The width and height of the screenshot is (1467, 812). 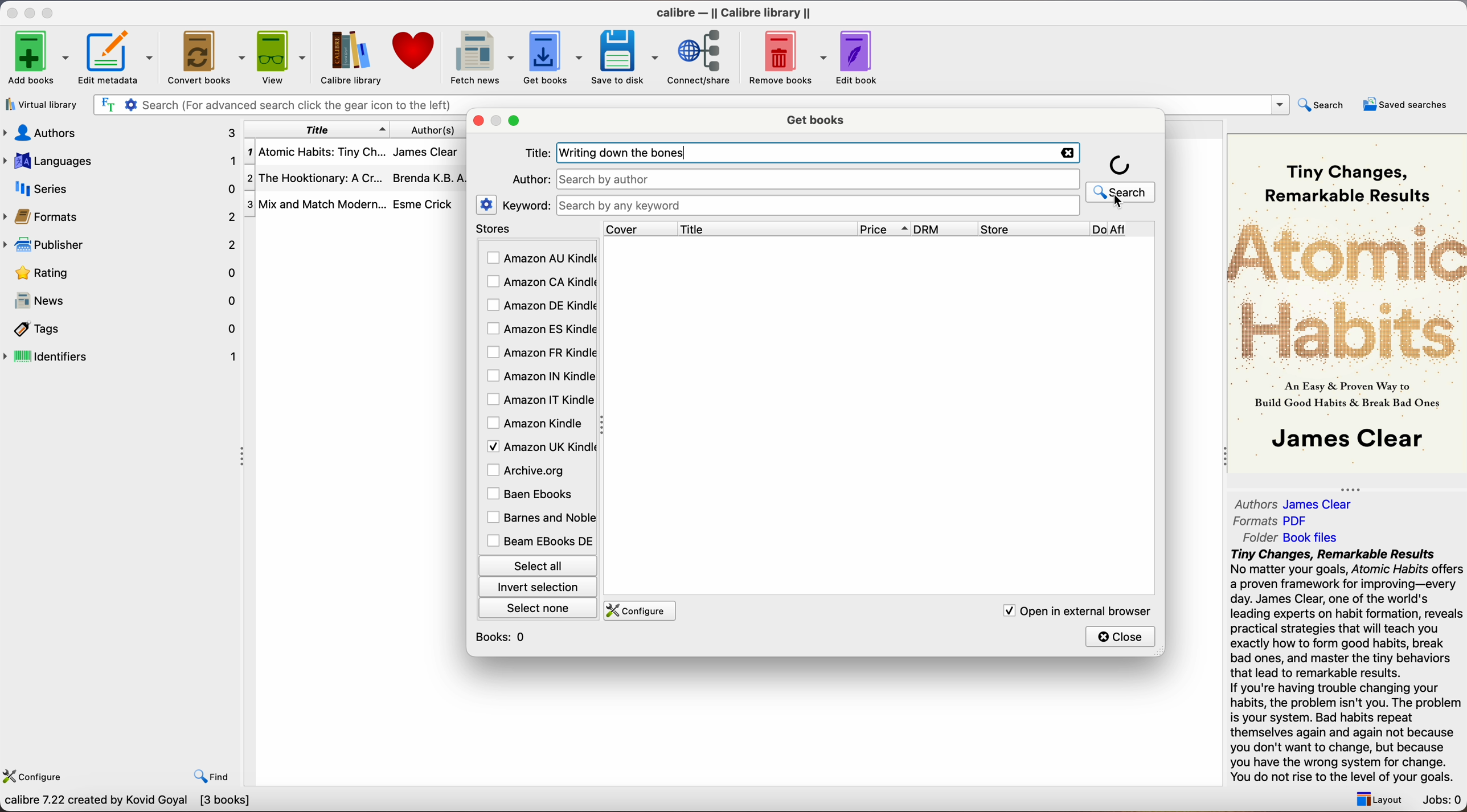 What do you see at coordinates (540, 283) in the screenshot?
I see `Amazon CA Kindle` at bounding box center [540, 283].